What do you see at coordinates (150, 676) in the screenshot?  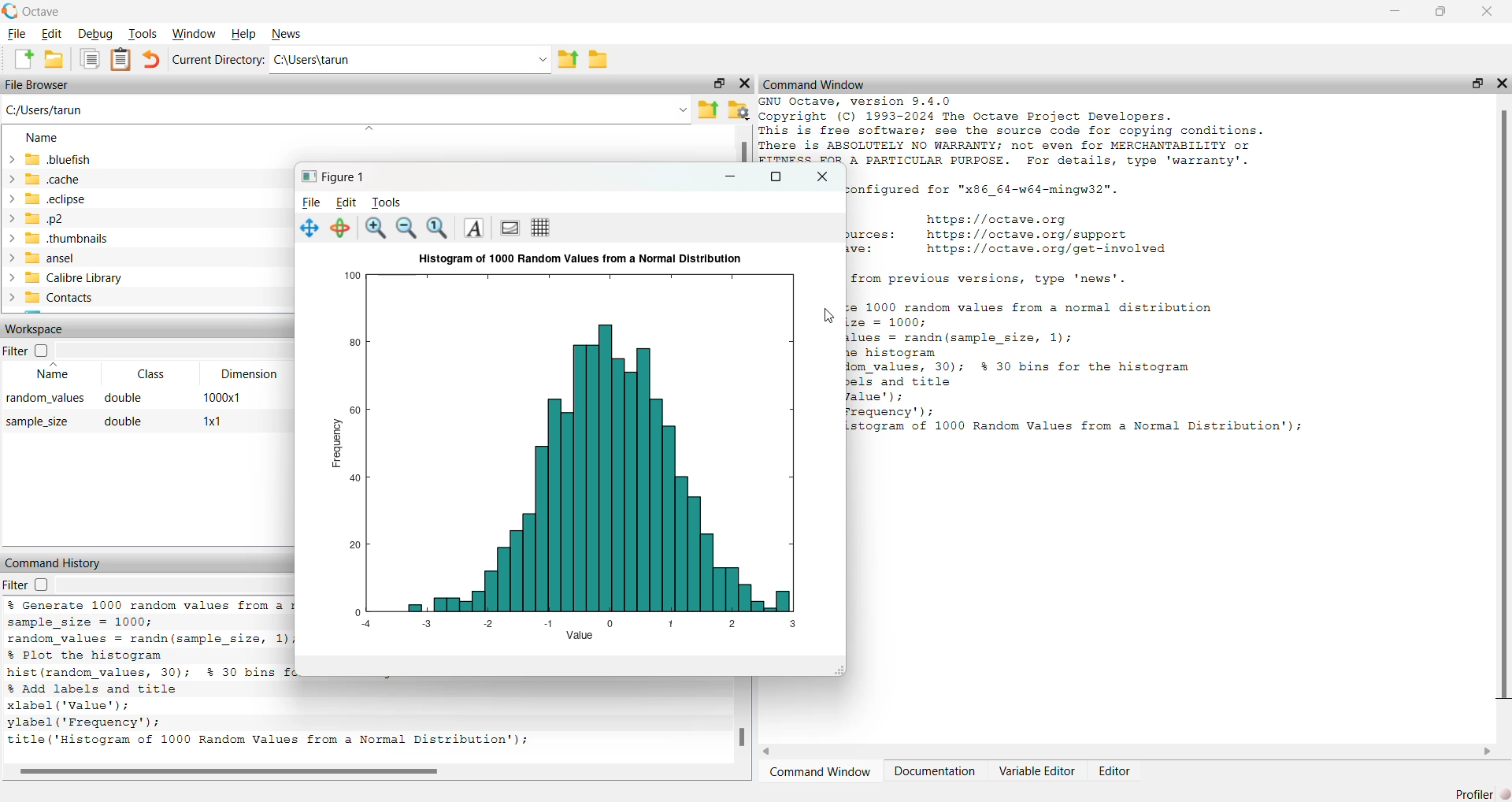 I see `% Generate 1000 random values from a 1
sample_size = 1000;

random values = randn(sample_size, 1)}
$ Plot the histogram

hist (random values, 30); $% 30 bins fe
$ Add labels and title

xlabel ('Value');

ylabel (' Frequency’) ;

title('Histogram of 1000 Random Values` at bounding box center [150, 676].